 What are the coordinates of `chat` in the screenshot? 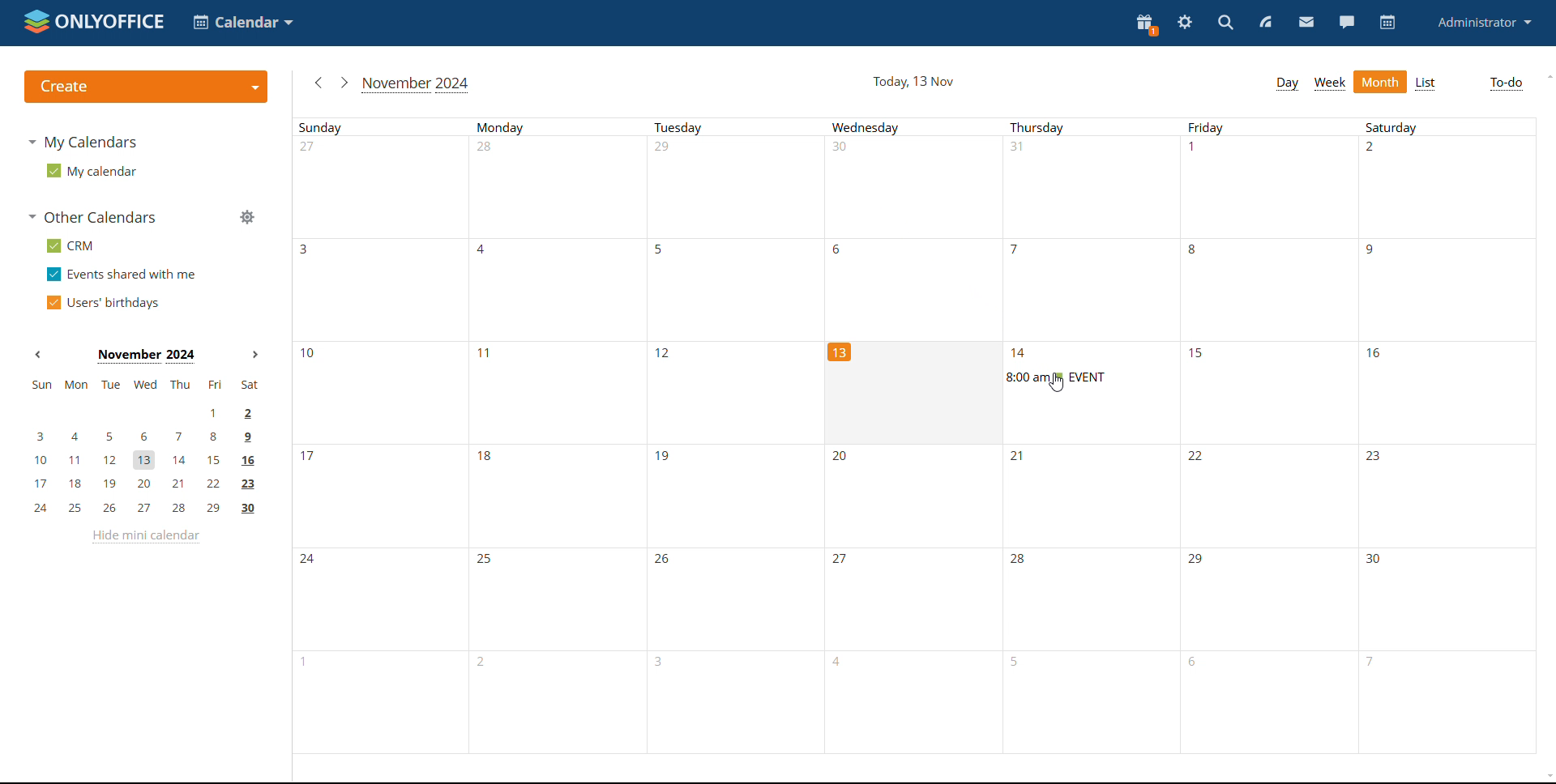 It's located at (1346, 23).